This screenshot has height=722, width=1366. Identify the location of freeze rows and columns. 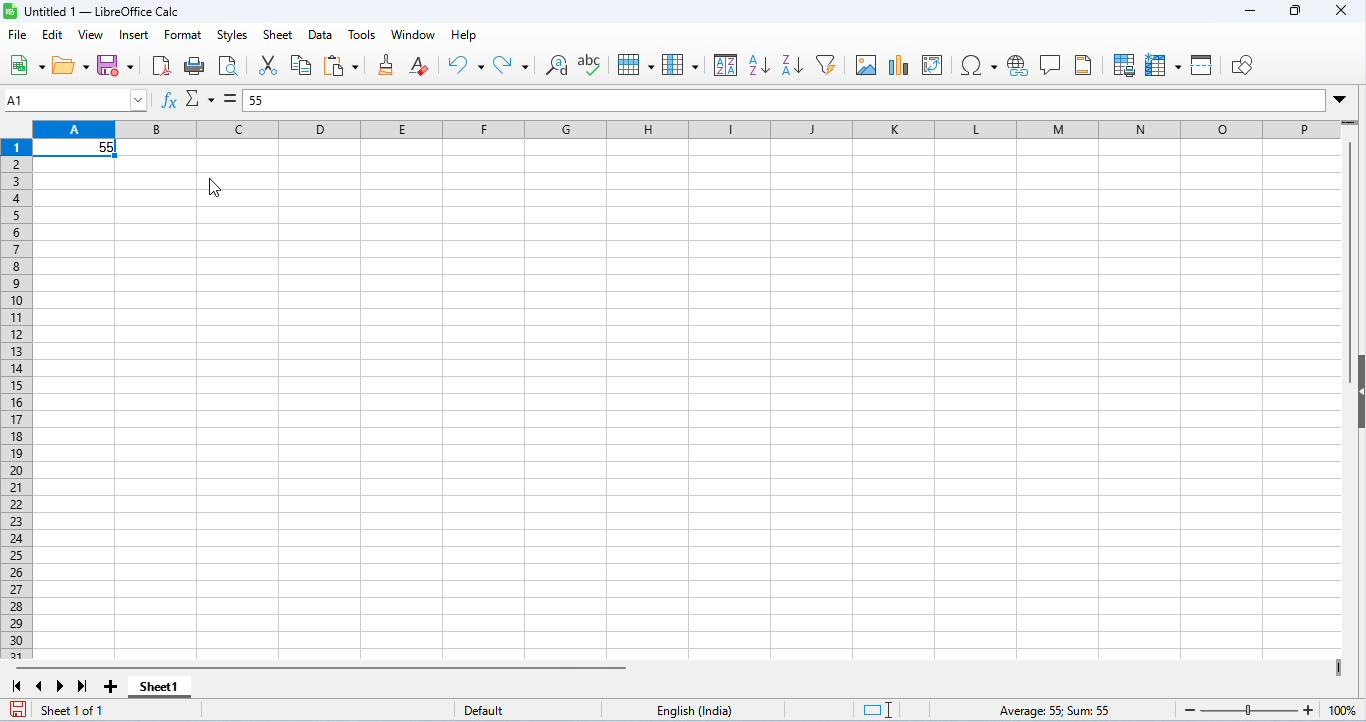
(1163, 65).